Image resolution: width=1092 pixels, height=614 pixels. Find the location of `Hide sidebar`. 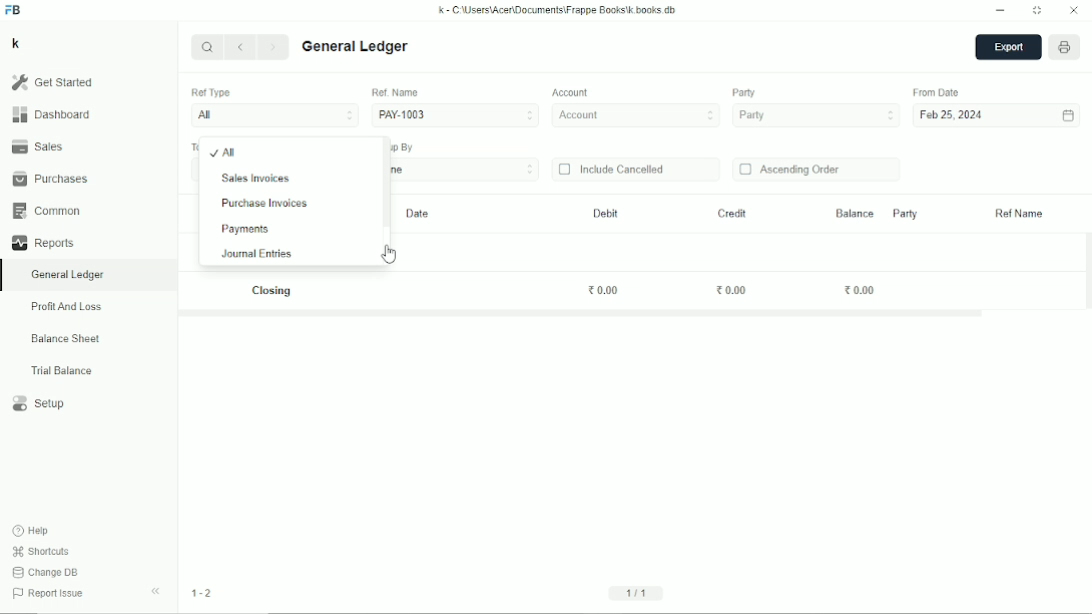

Hide sidebar is located at coordinates (156, 592).